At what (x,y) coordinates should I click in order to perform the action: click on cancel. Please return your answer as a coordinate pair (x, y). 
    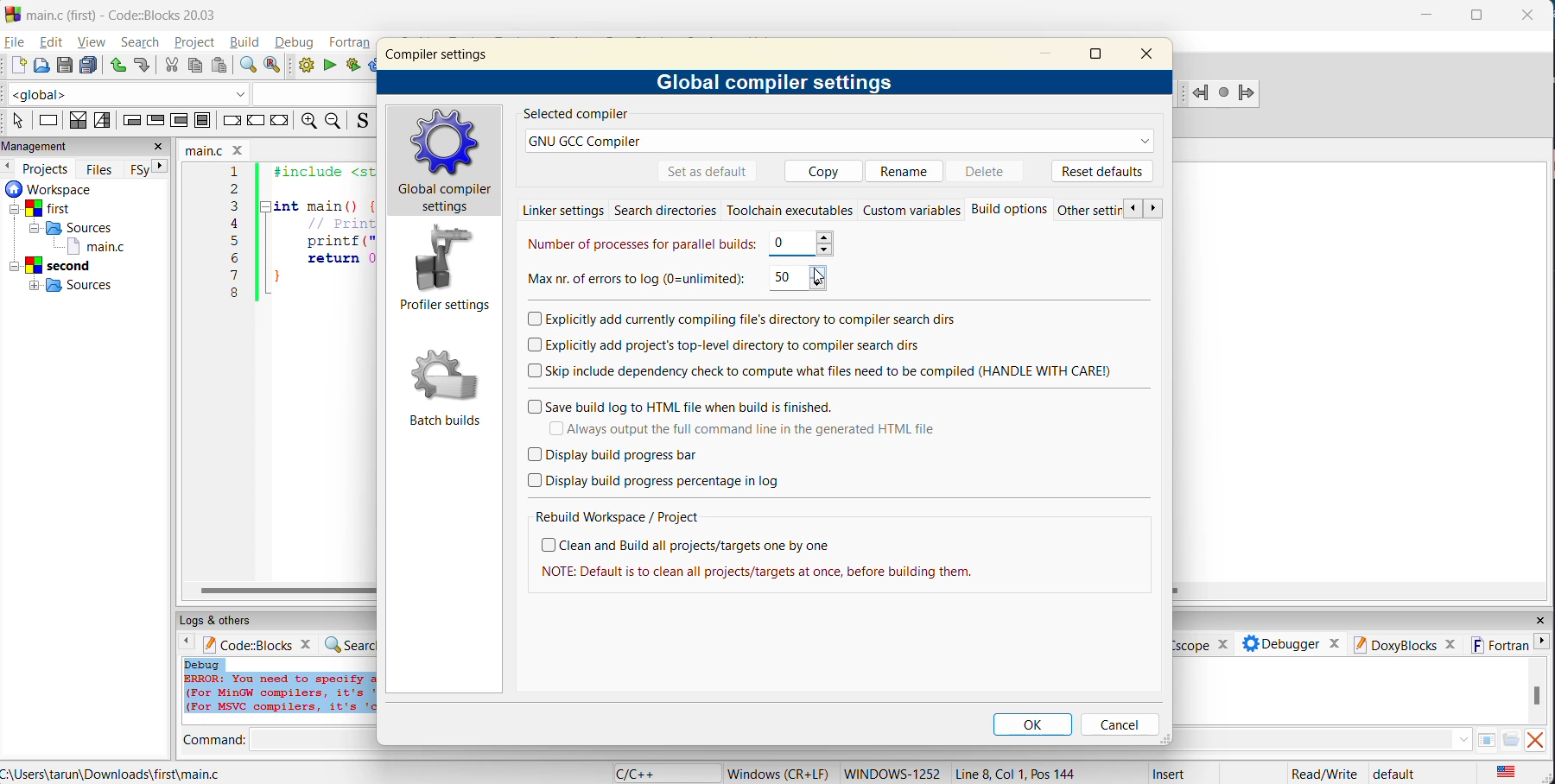
    Looking at the image, I should click on (1117, 724).